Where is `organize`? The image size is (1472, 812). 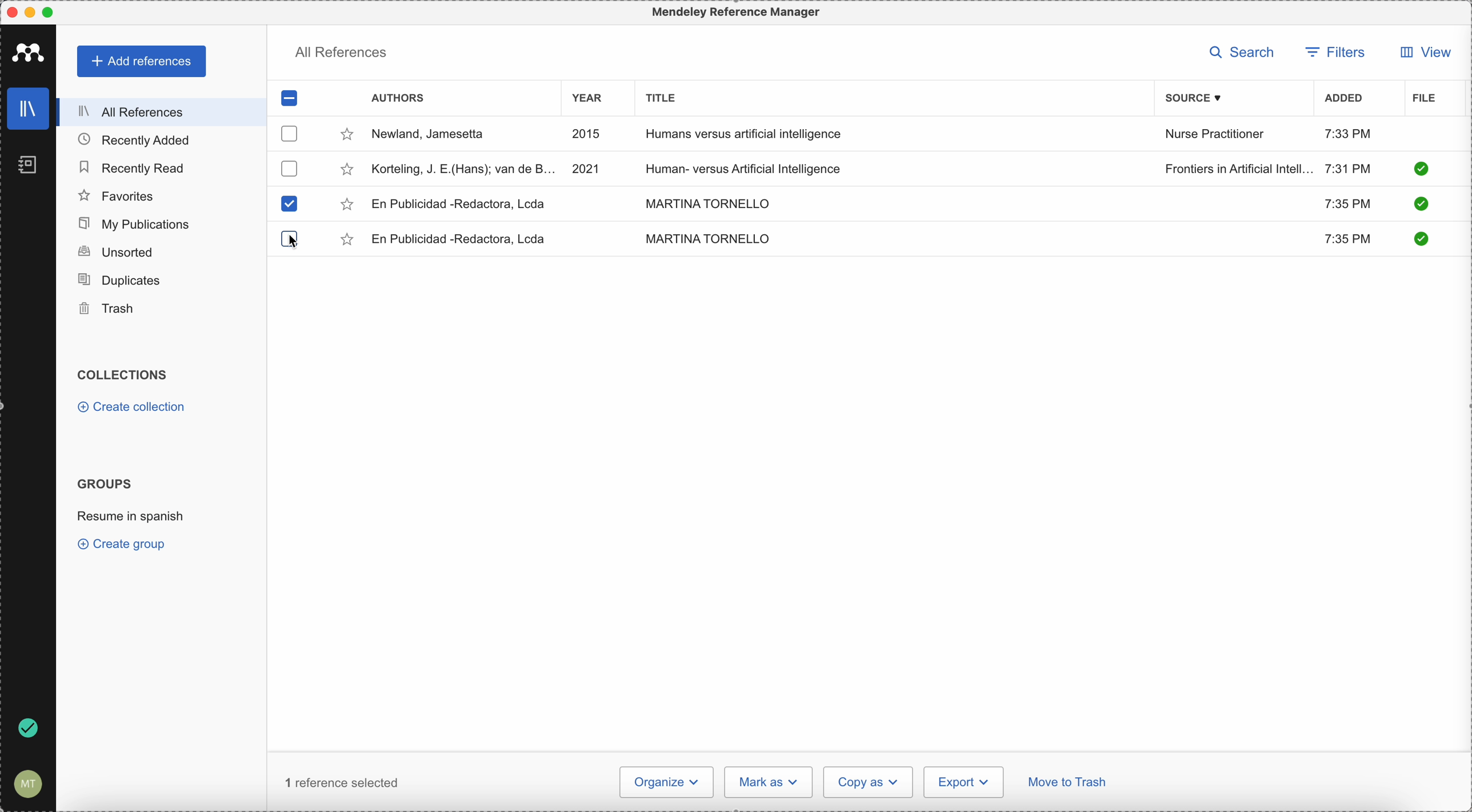 organize is located at coordinates (665, 782).